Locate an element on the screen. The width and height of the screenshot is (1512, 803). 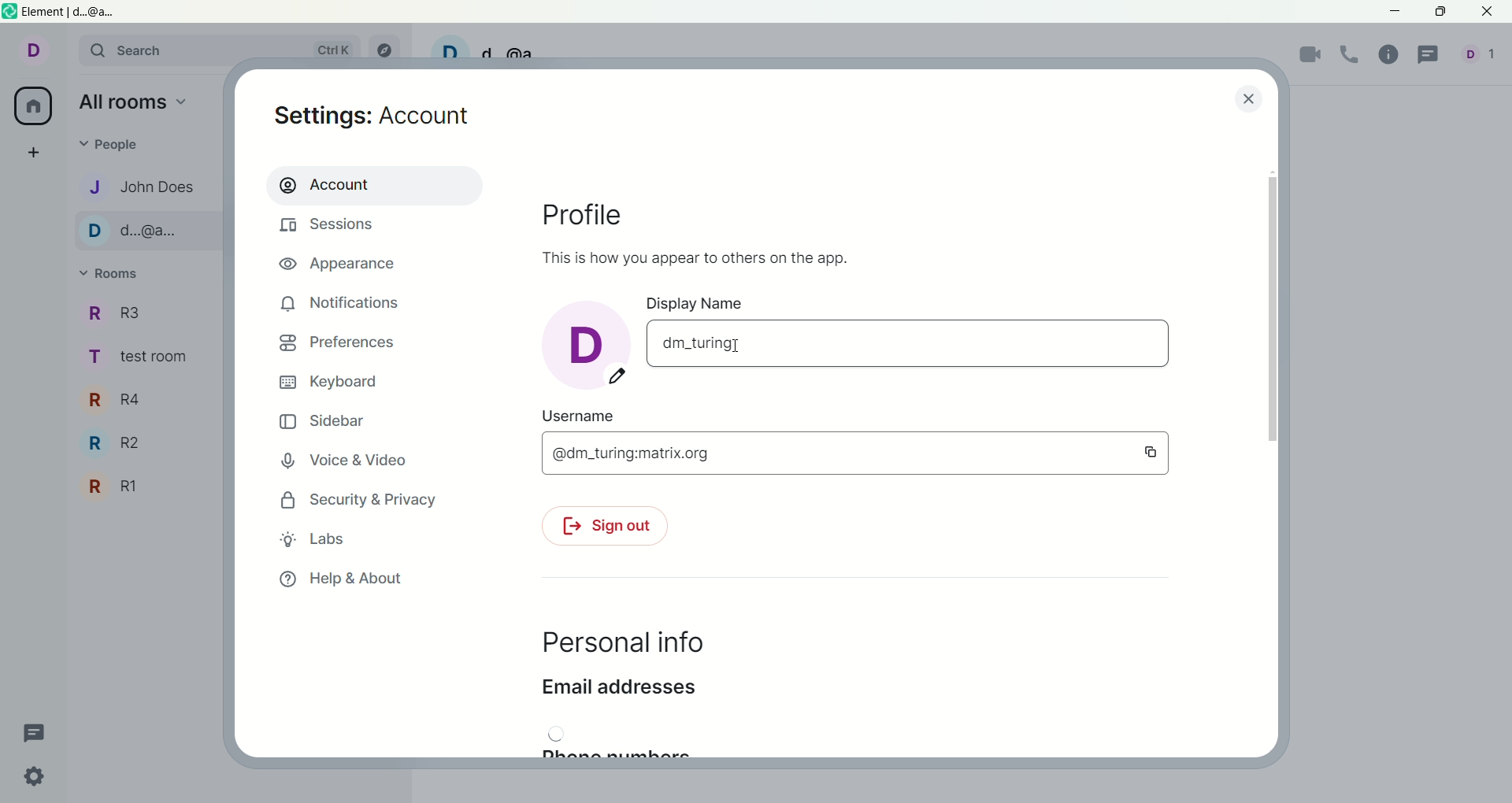
R1 is located at coordinates (115, 487).